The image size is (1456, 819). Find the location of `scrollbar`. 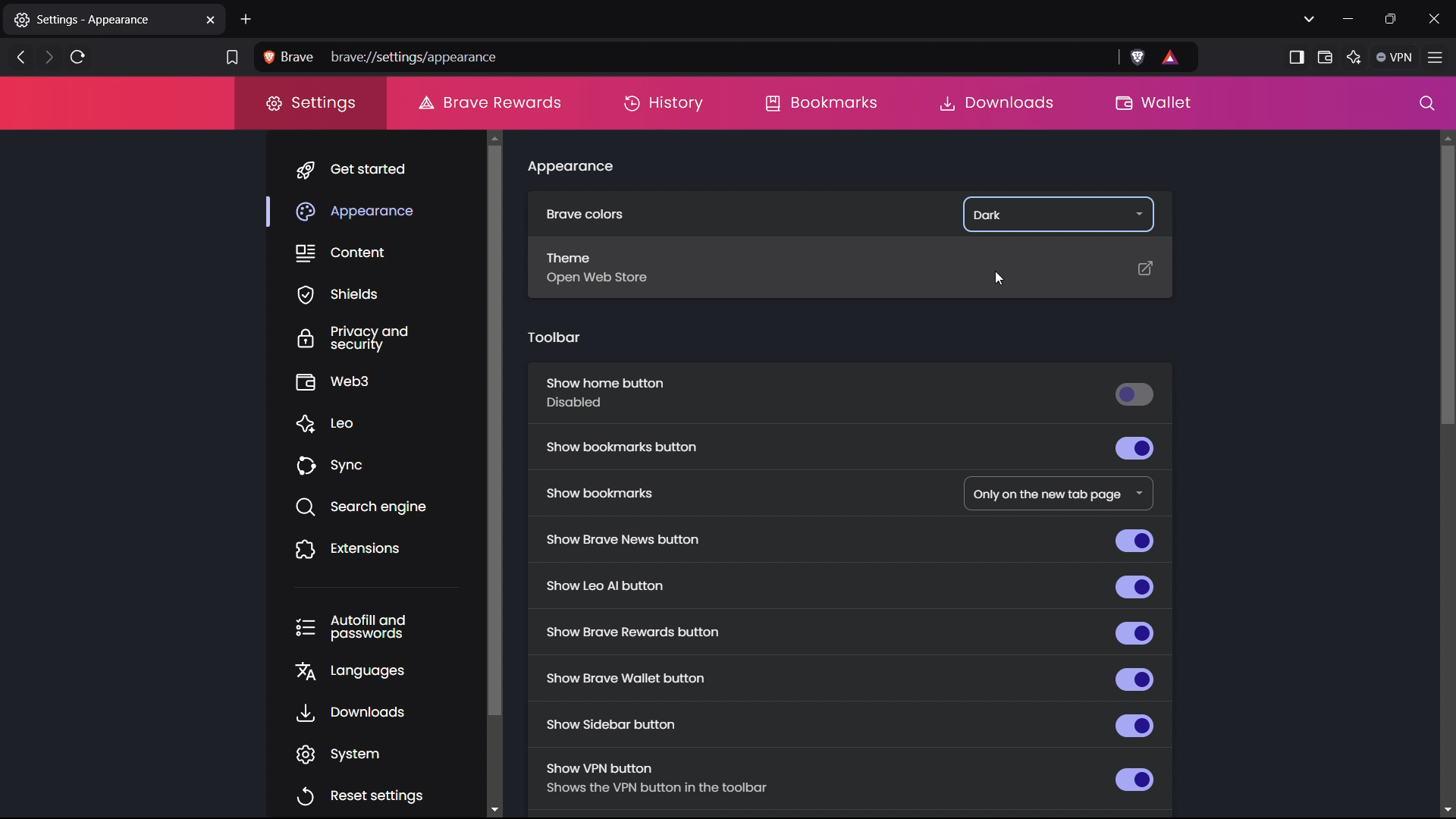

scrollbar is located at coordinates (509, 429).